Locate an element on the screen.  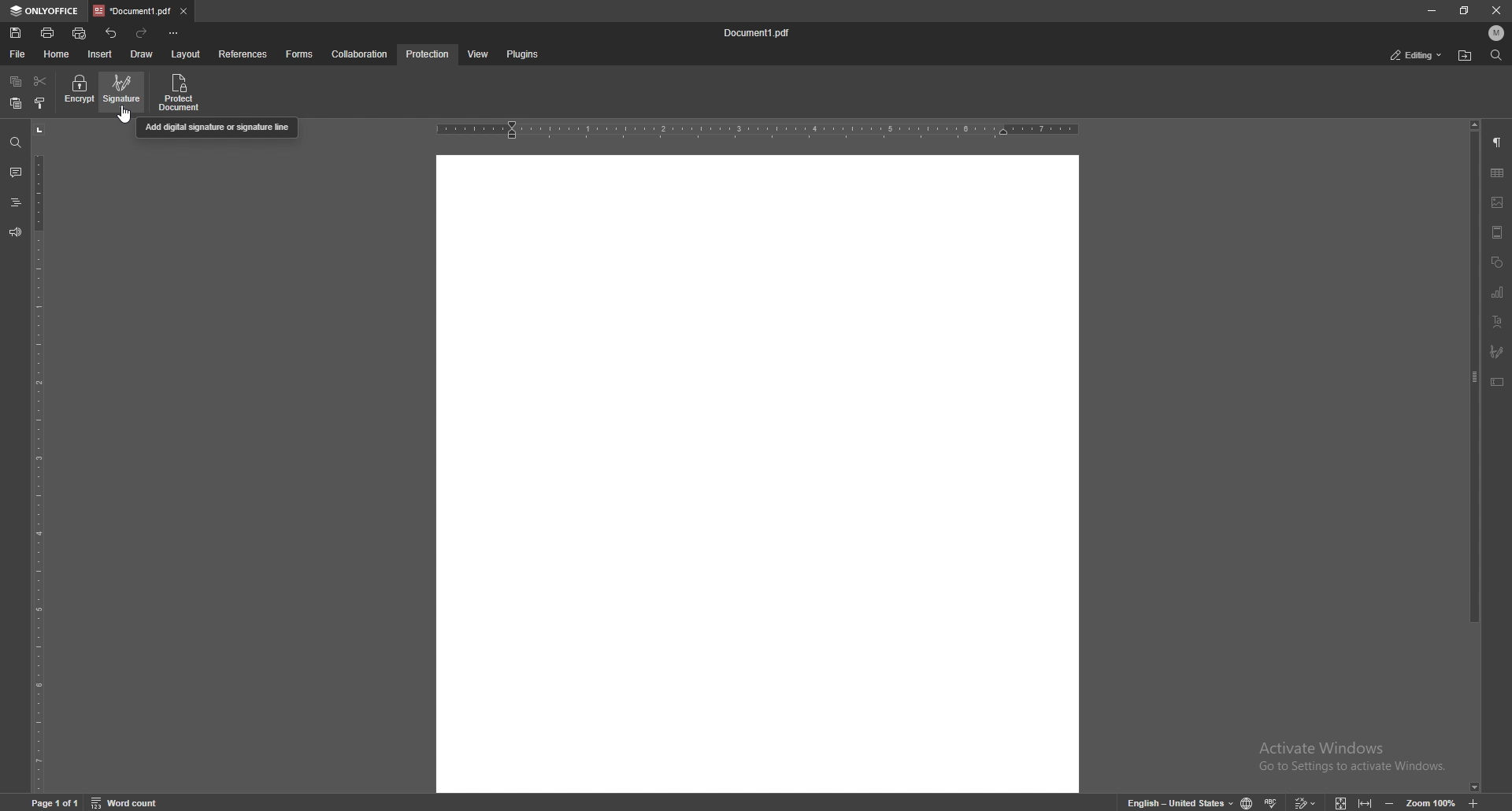
signature is located at coordinates (124, 91).